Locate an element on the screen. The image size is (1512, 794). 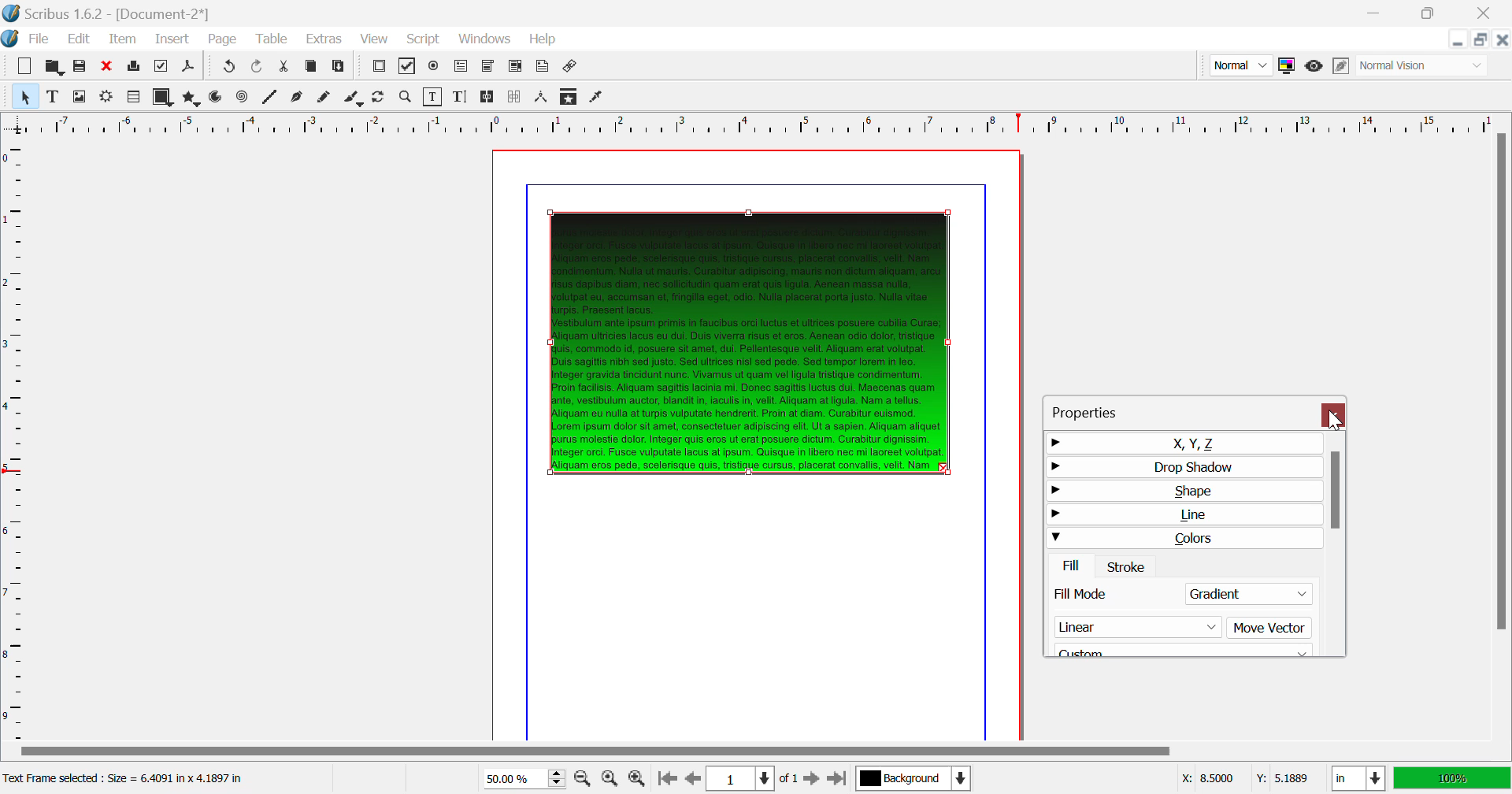
Link Annotation is located at coordinates (572, 68).